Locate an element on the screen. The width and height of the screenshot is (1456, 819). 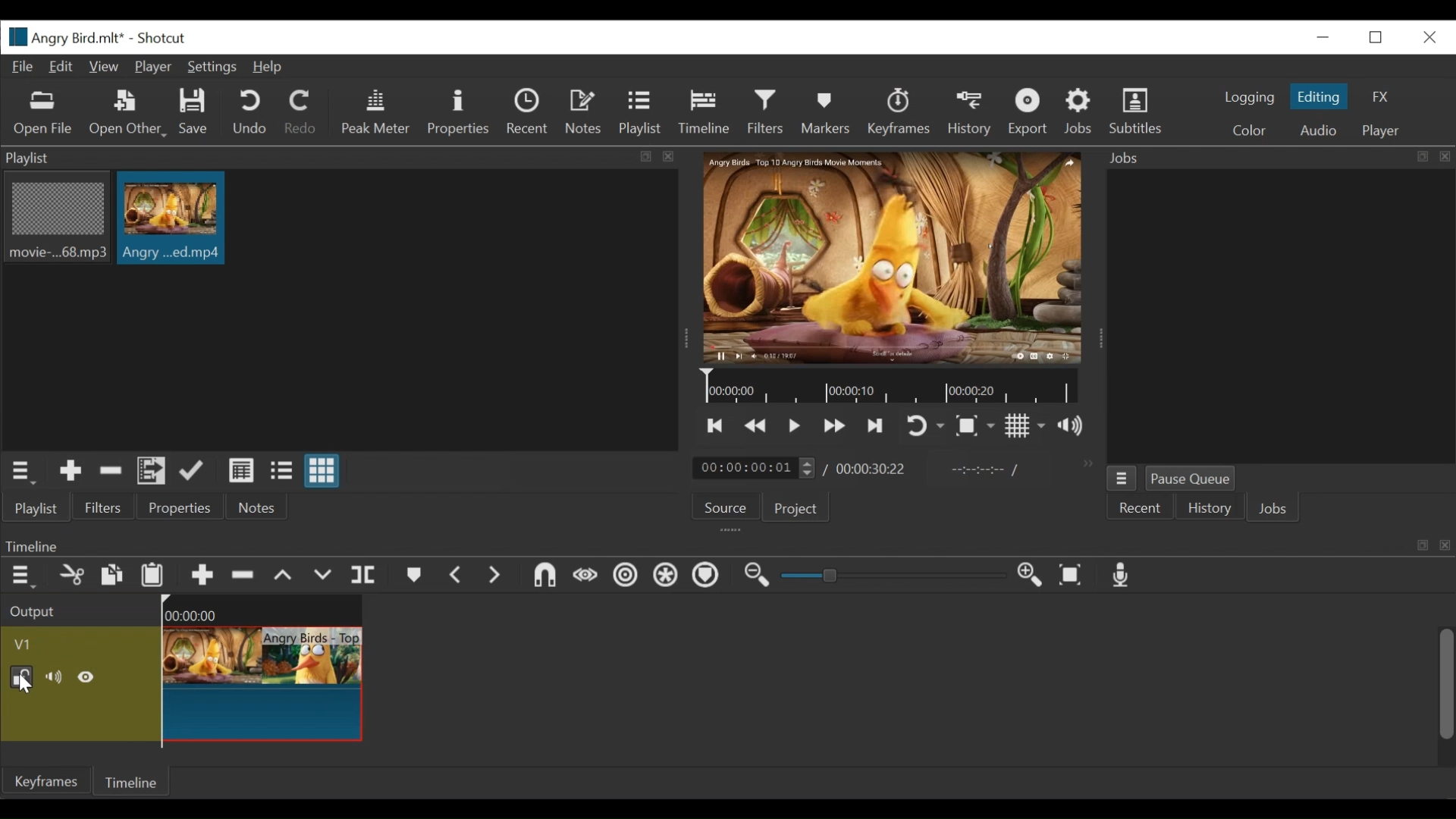
Jobs is located at coordinates (1276, 508).